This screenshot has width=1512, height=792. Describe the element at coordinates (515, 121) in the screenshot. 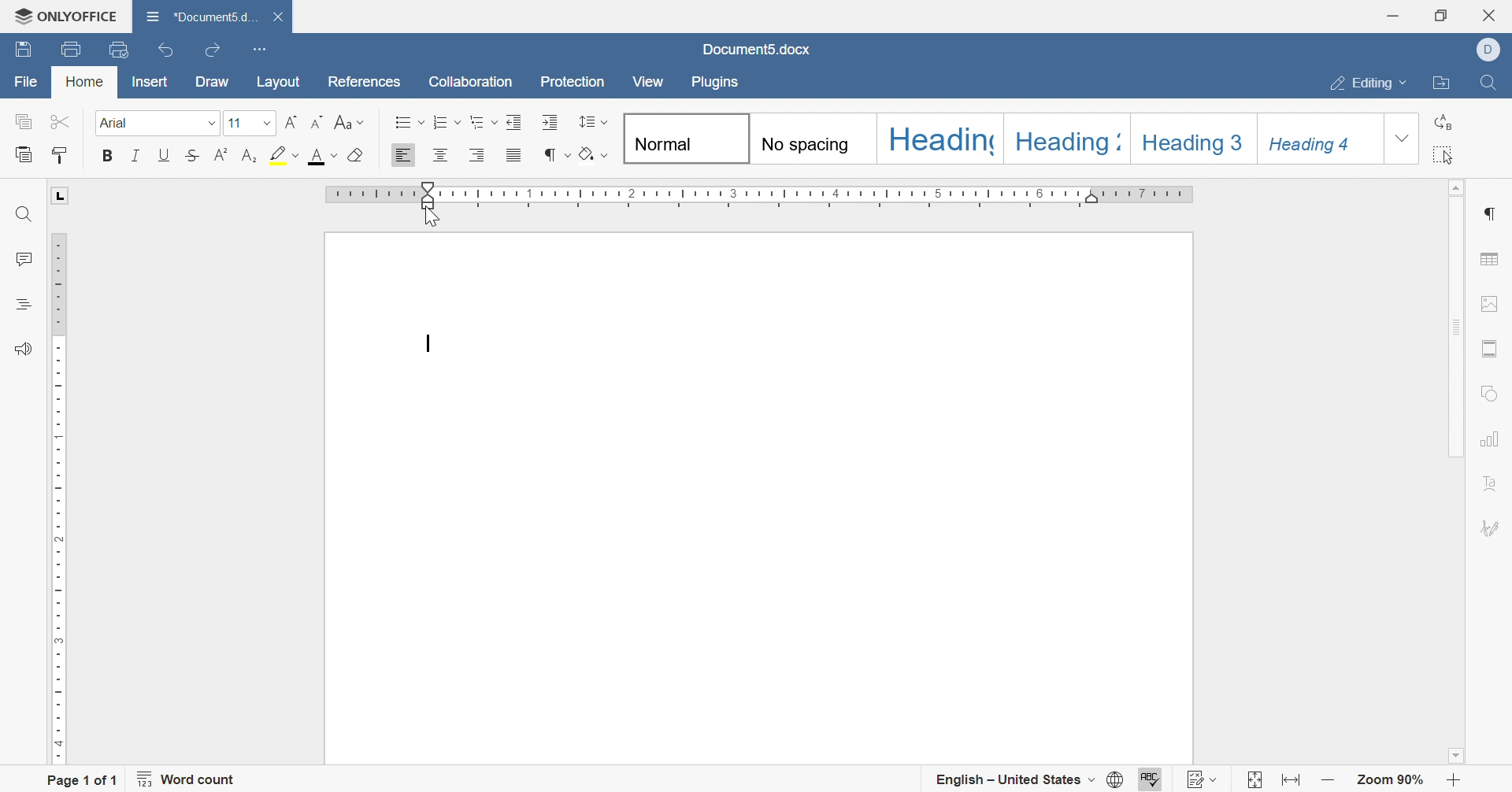

I see `decrease indent` at that location.